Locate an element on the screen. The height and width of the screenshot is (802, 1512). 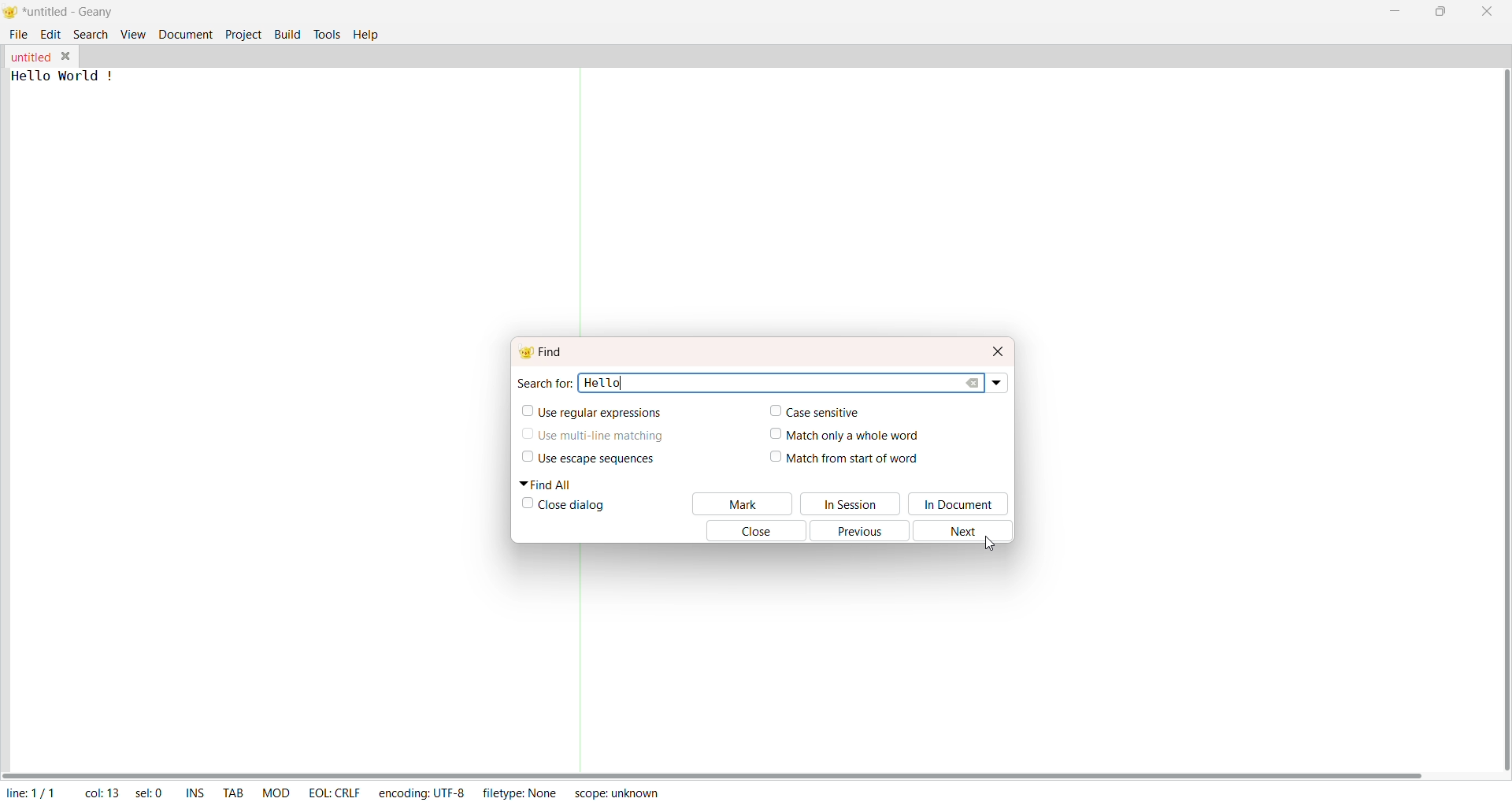
mark is located at coordinates (743, 503).